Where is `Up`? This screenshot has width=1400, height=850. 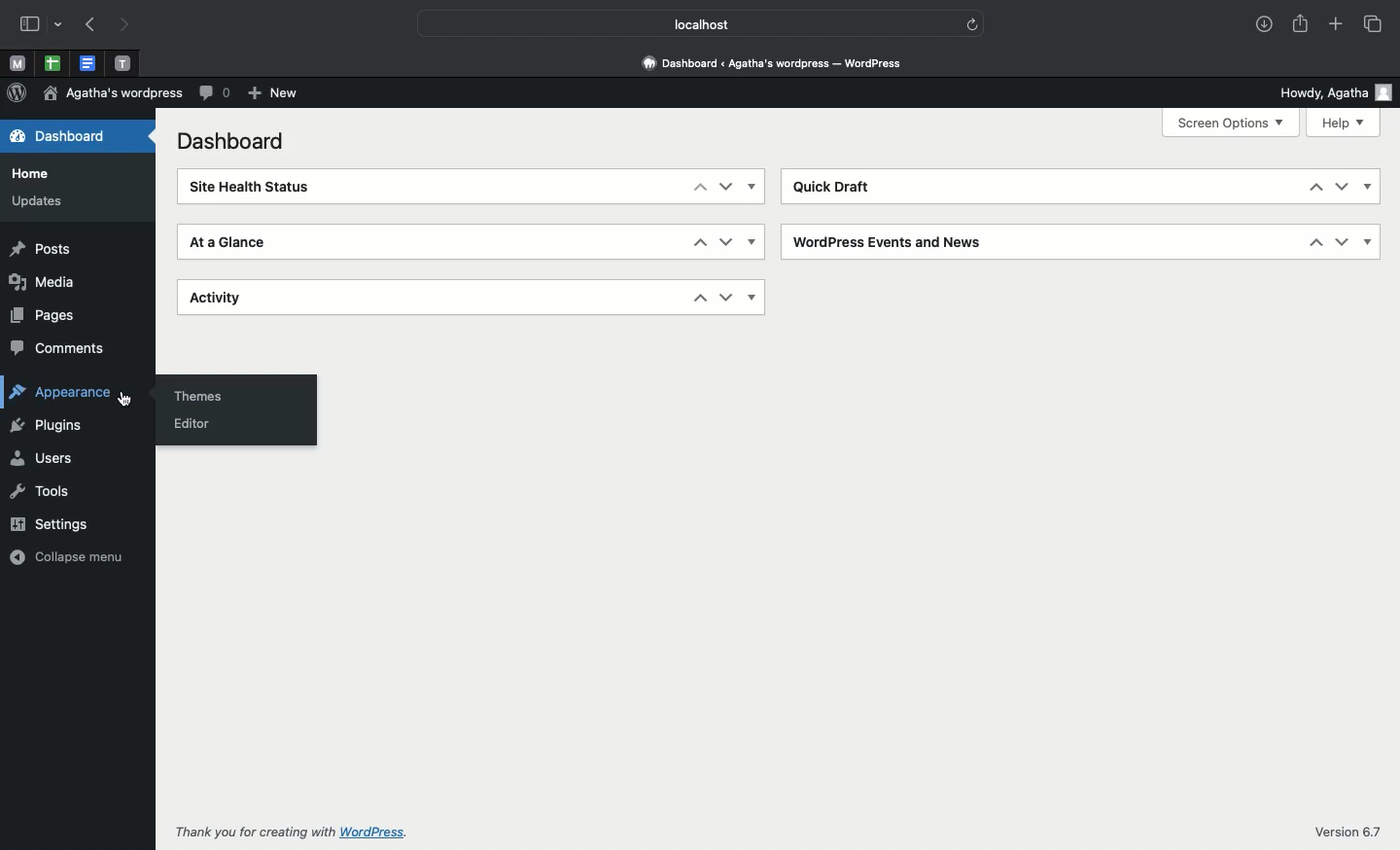
Up is located at coordinates (1315, 187).